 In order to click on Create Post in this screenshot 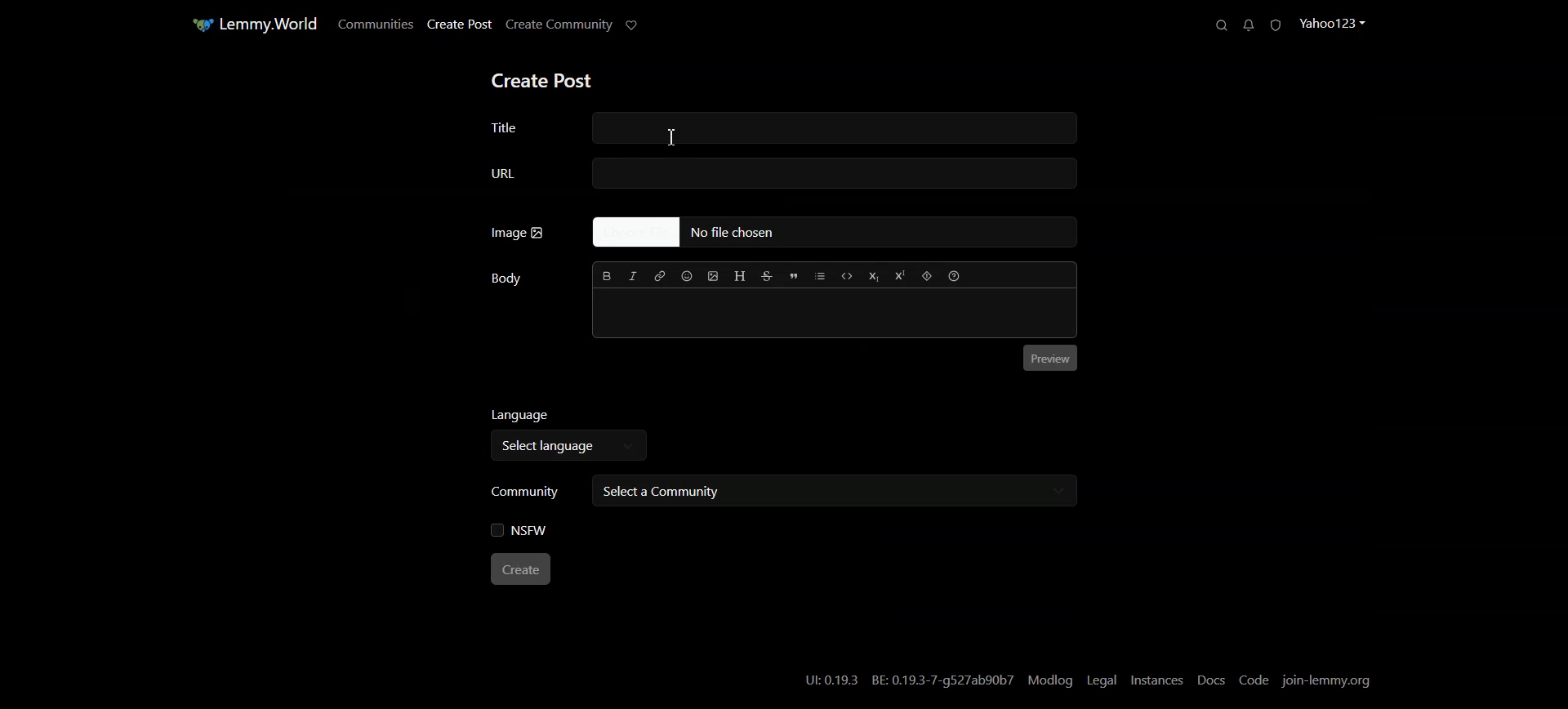, I will do `click(458, 25)`.